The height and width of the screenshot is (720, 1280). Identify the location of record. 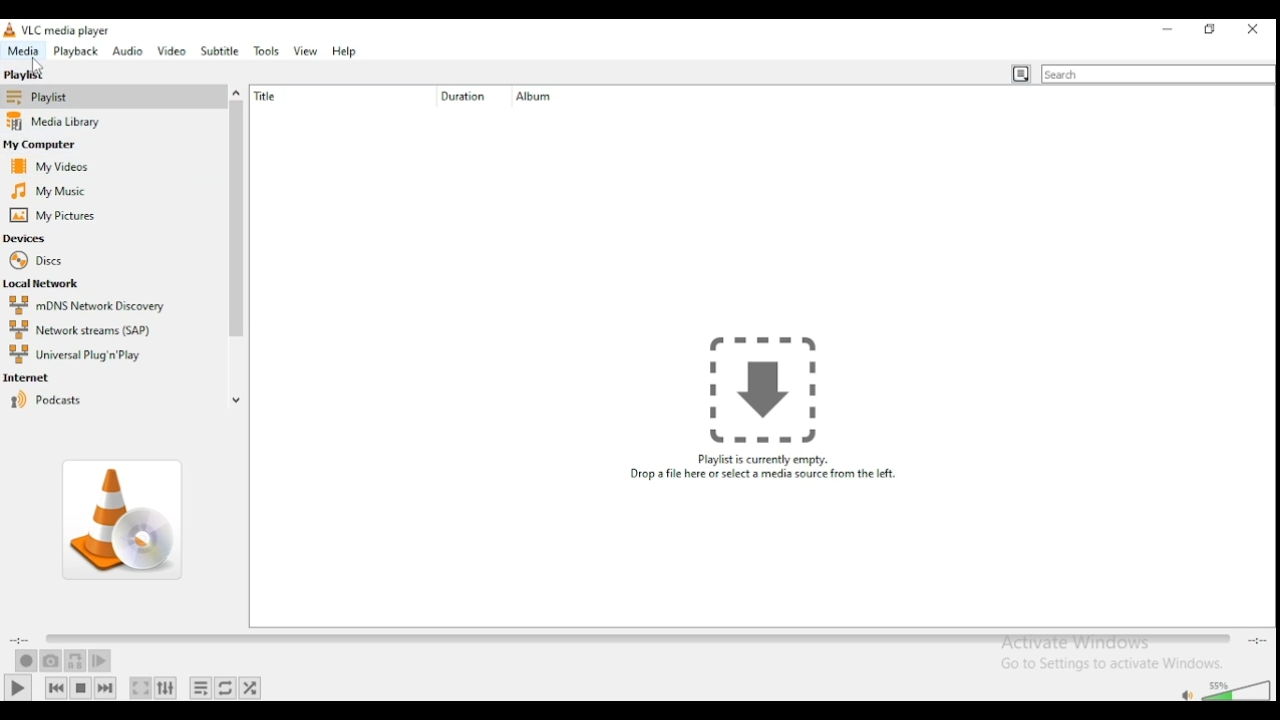
(25, 660).